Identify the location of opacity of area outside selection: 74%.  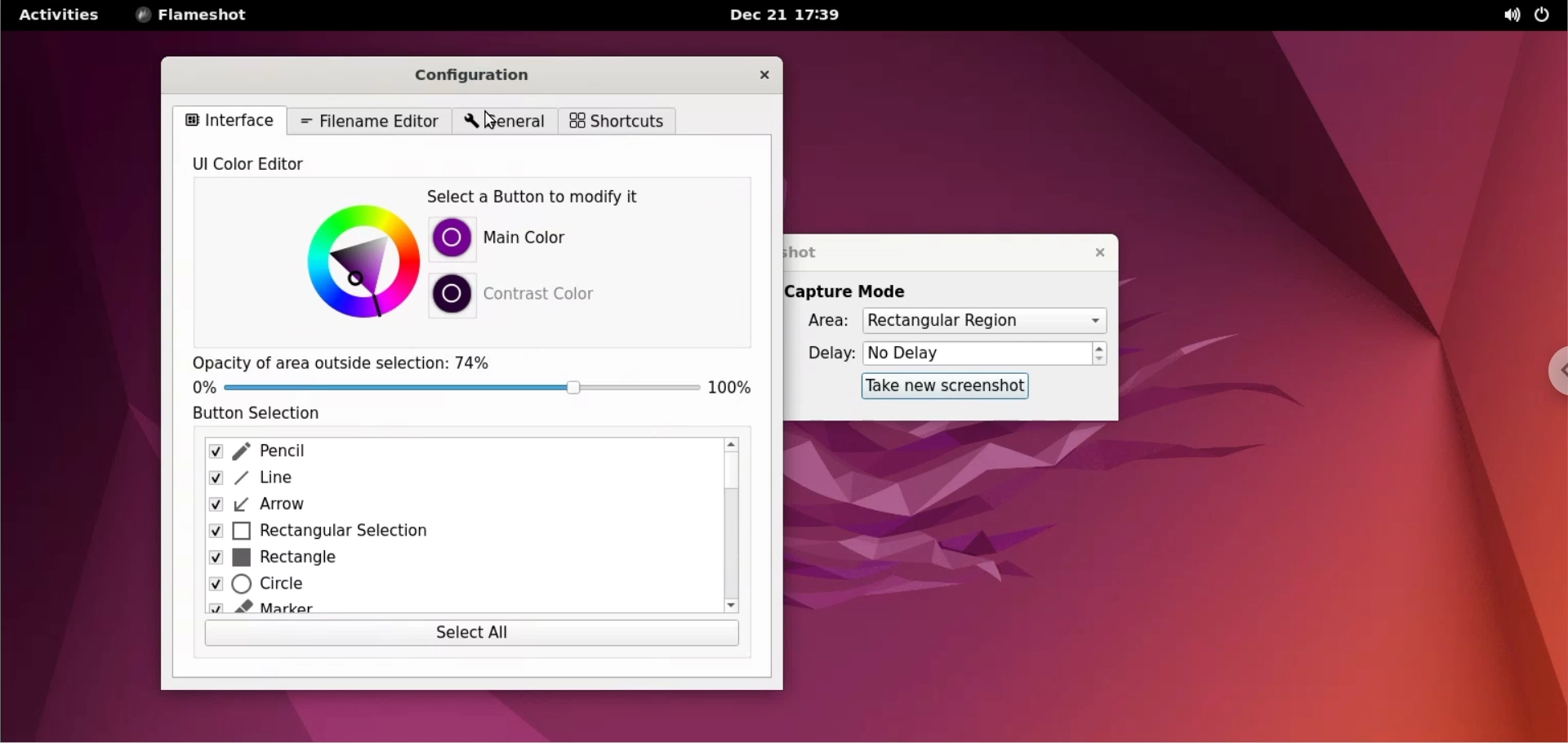
(345, 362).